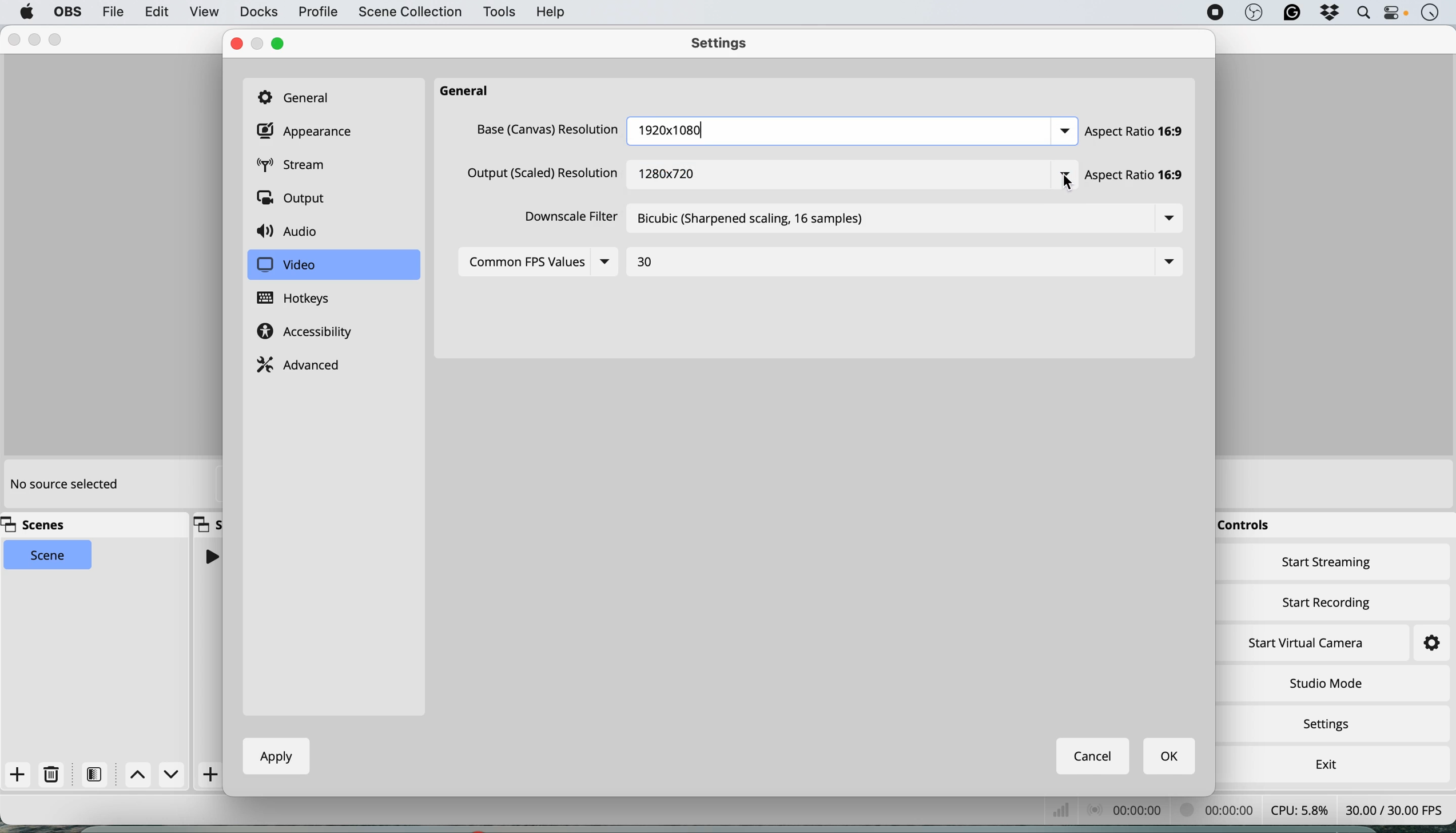 The height and width of the screenshot is (833, 1456). Describe the element at coordinates (1326, 14) in the screenshot. I see `dropbox` at that location.